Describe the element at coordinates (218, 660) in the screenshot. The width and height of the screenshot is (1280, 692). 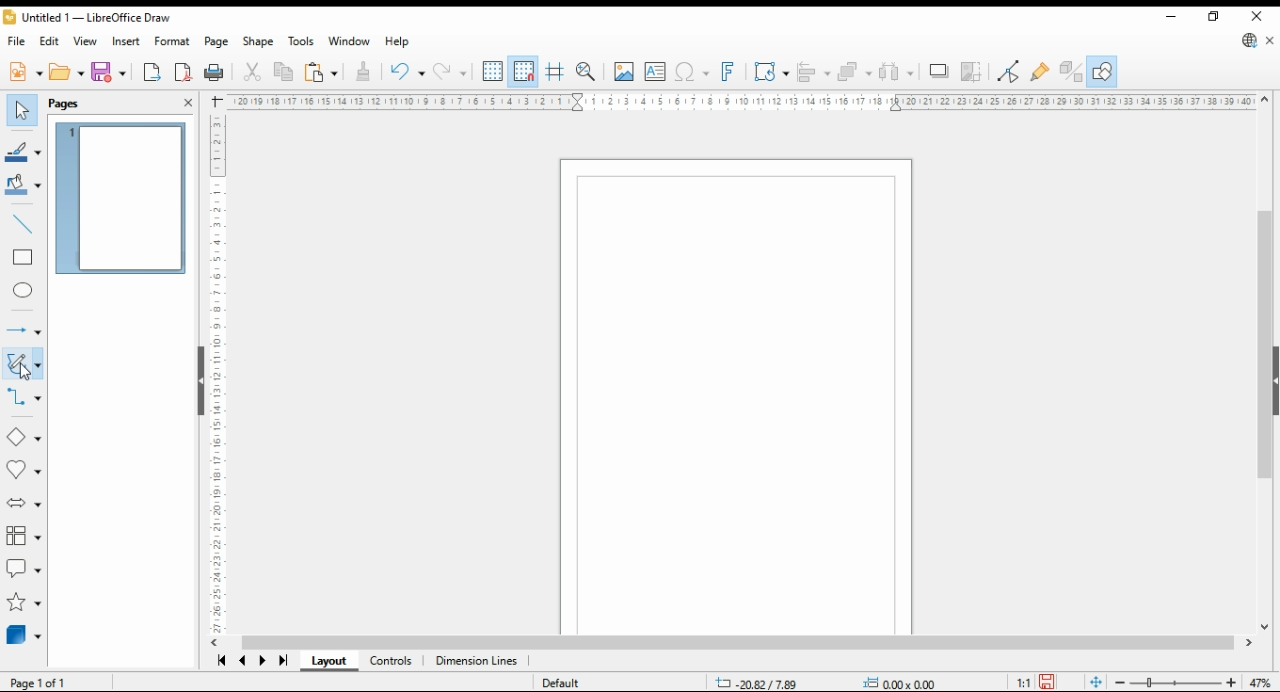
I see `first page` at that location.